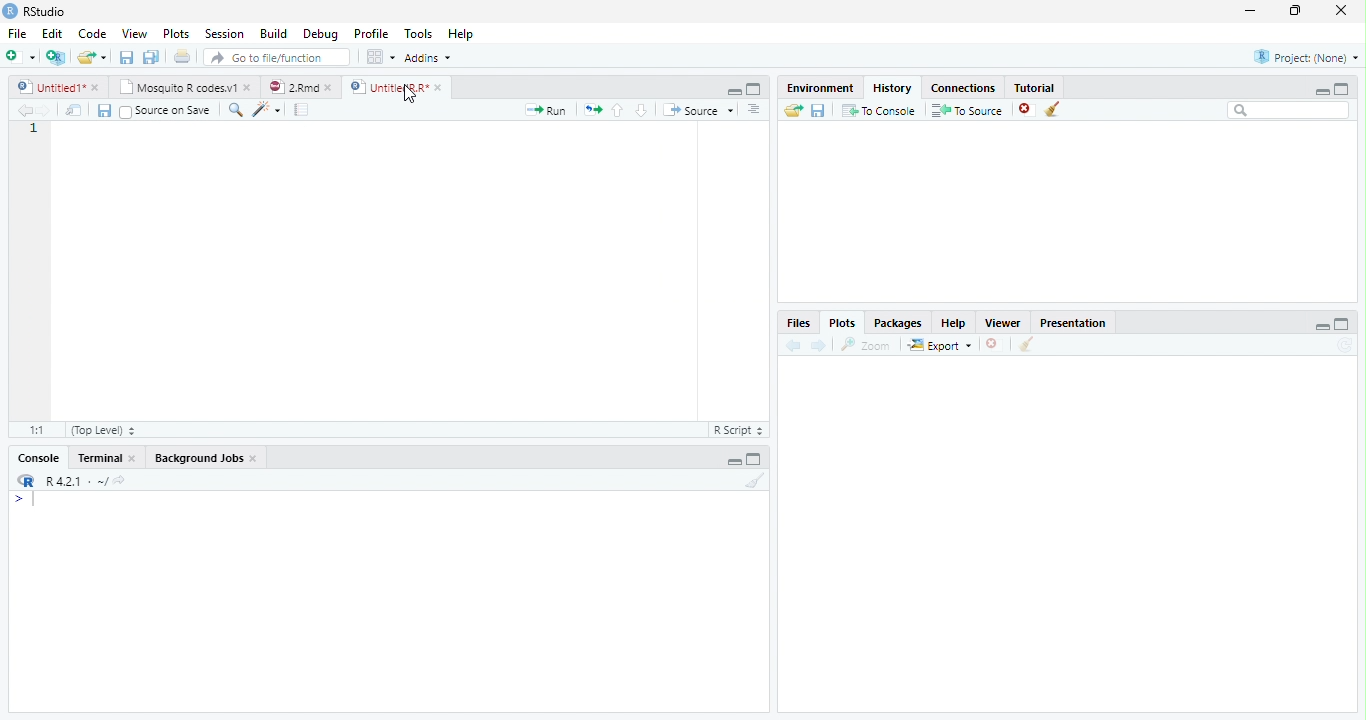 This screenshot has width=1366, height=720. Describe the element at coordinates (426, 57) in the screenshot. I see `Addins` at that location.